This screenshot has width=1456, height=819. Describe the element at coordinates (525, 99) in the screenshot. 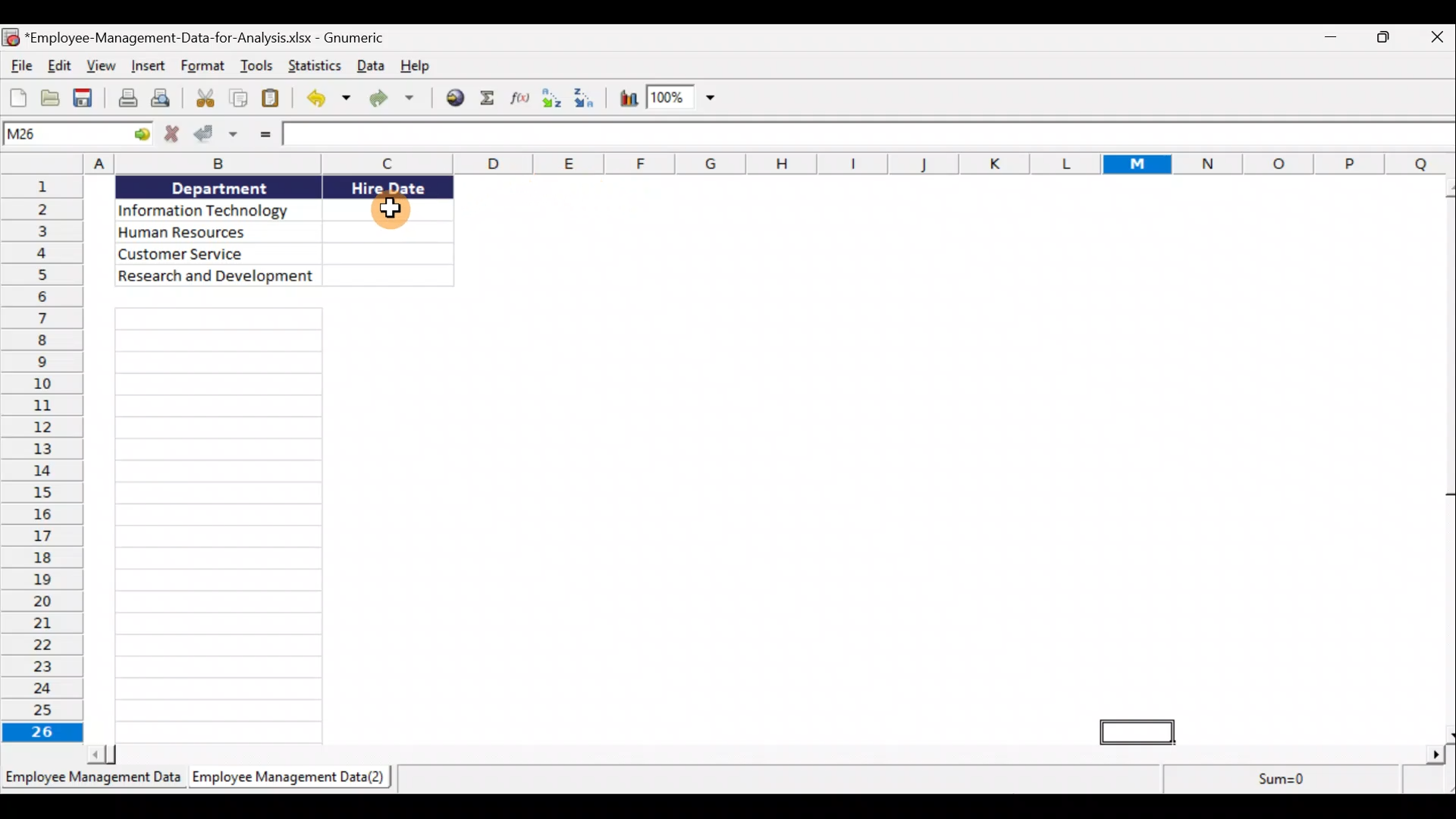

I see `Edit a function in the current cell` at that location.